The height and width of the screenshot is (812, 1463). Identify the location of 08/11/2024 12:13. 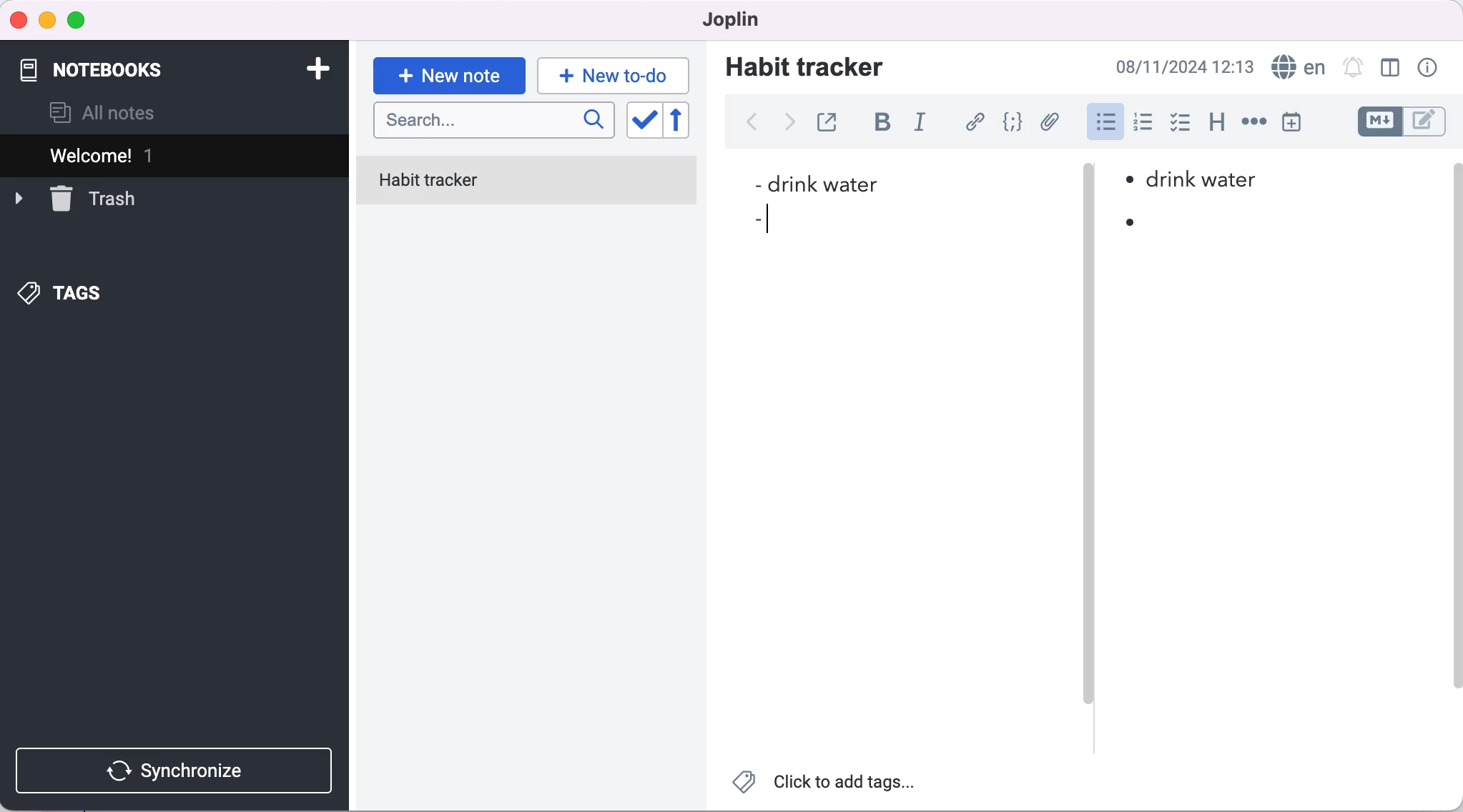
(1181, 66).